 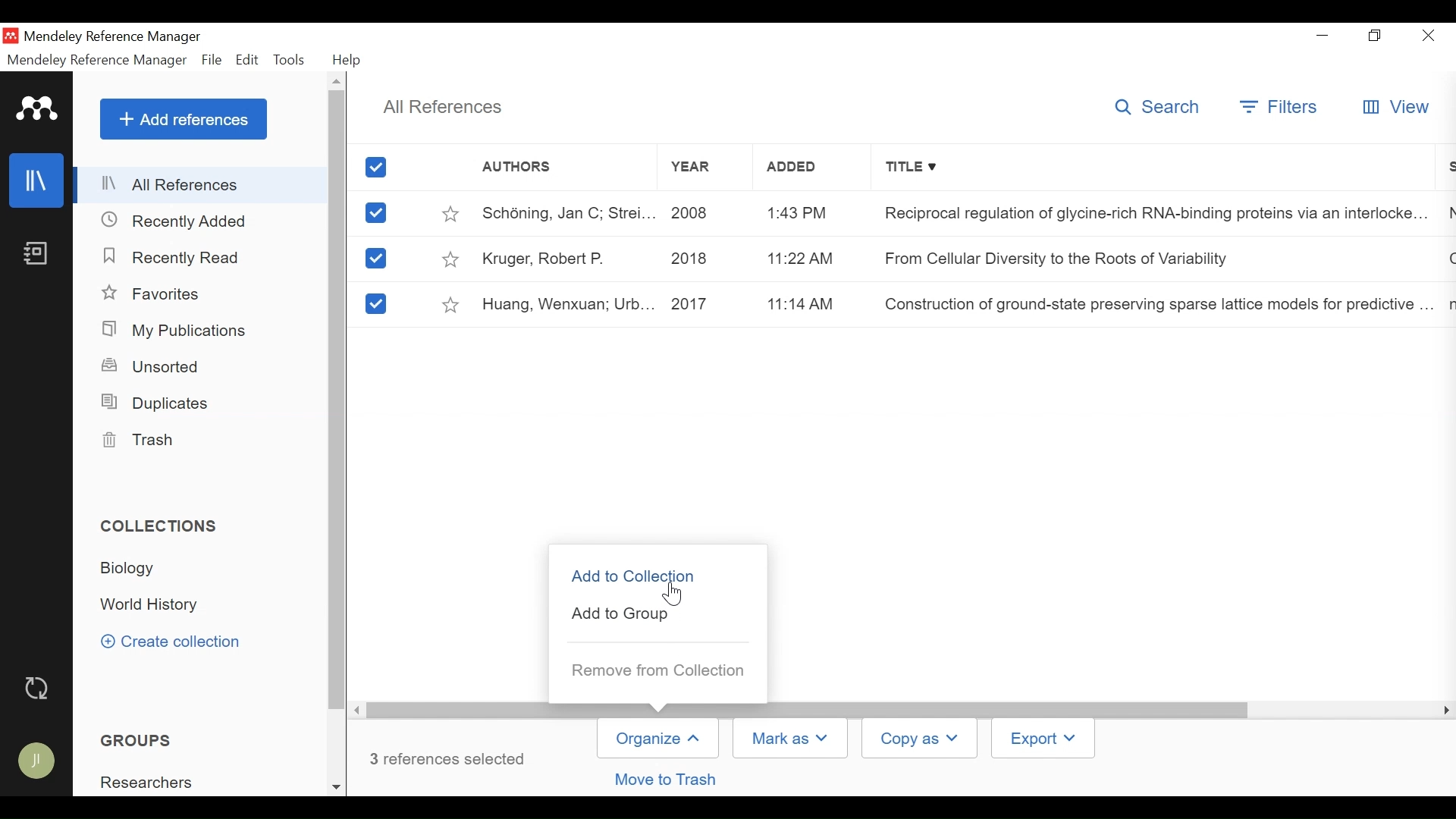 What do you see at coordinates (621, 614) in the screenshot?
I see `Add to Group` at bounding box center [621, 614].